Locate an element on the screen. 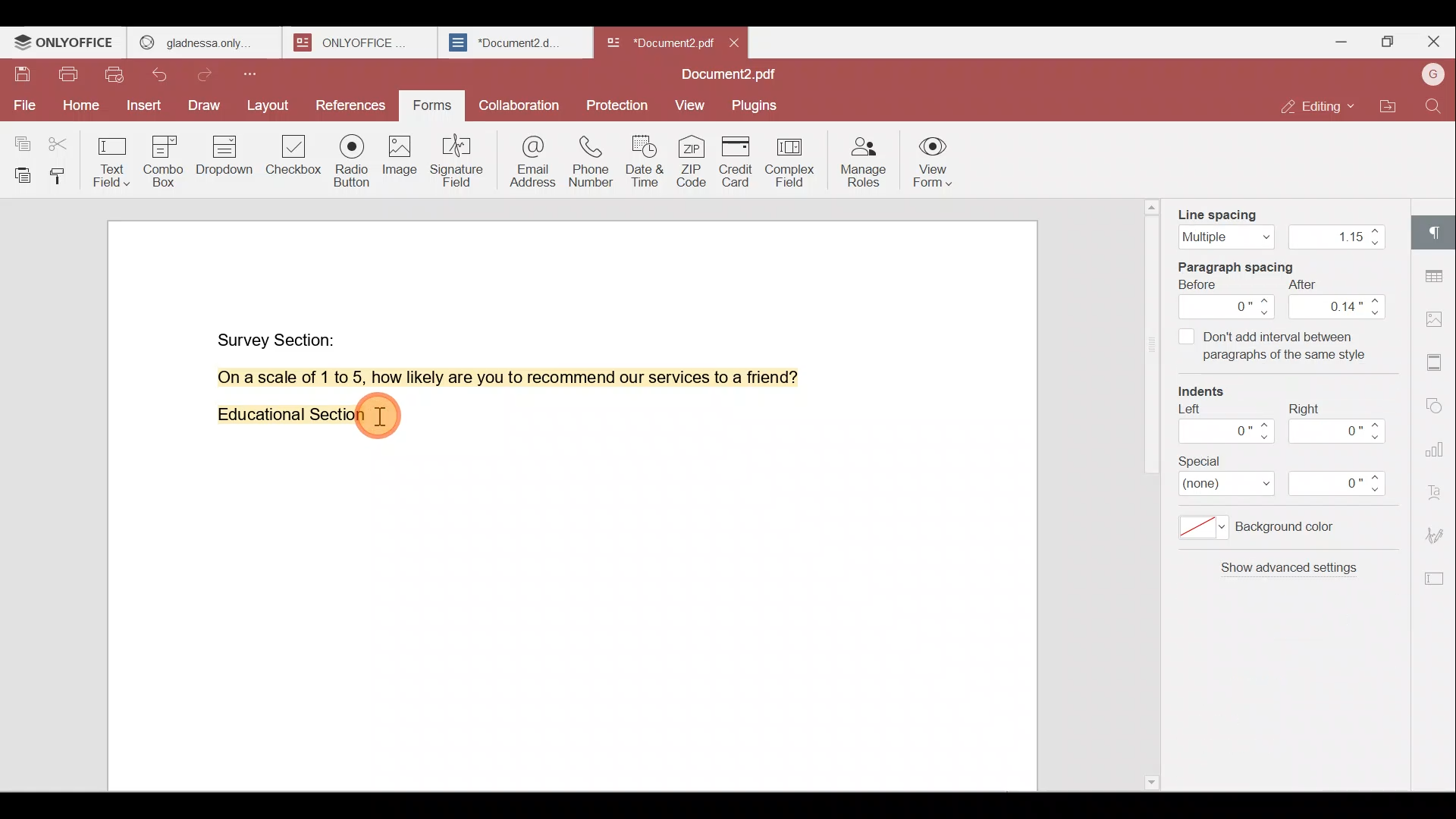  Radio is located at coordinates (353, 163).